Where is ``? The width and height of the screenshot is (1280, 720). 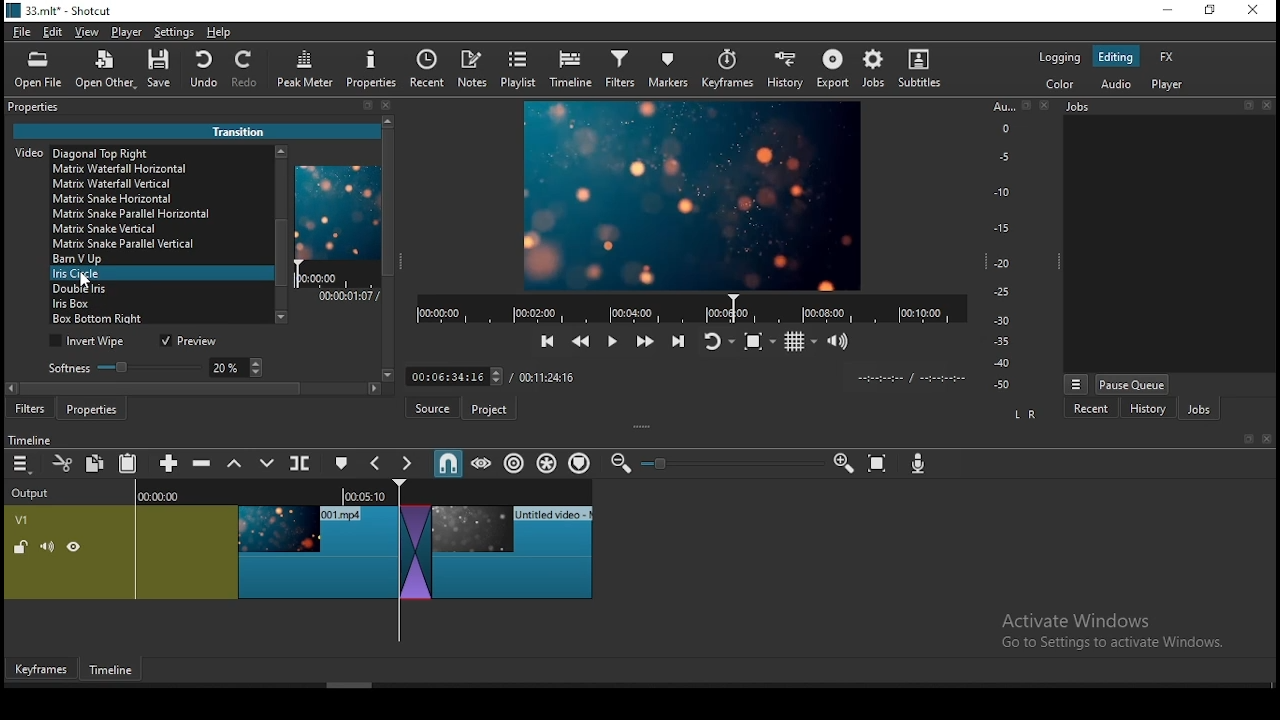  is located at coordinates (1025, 106).